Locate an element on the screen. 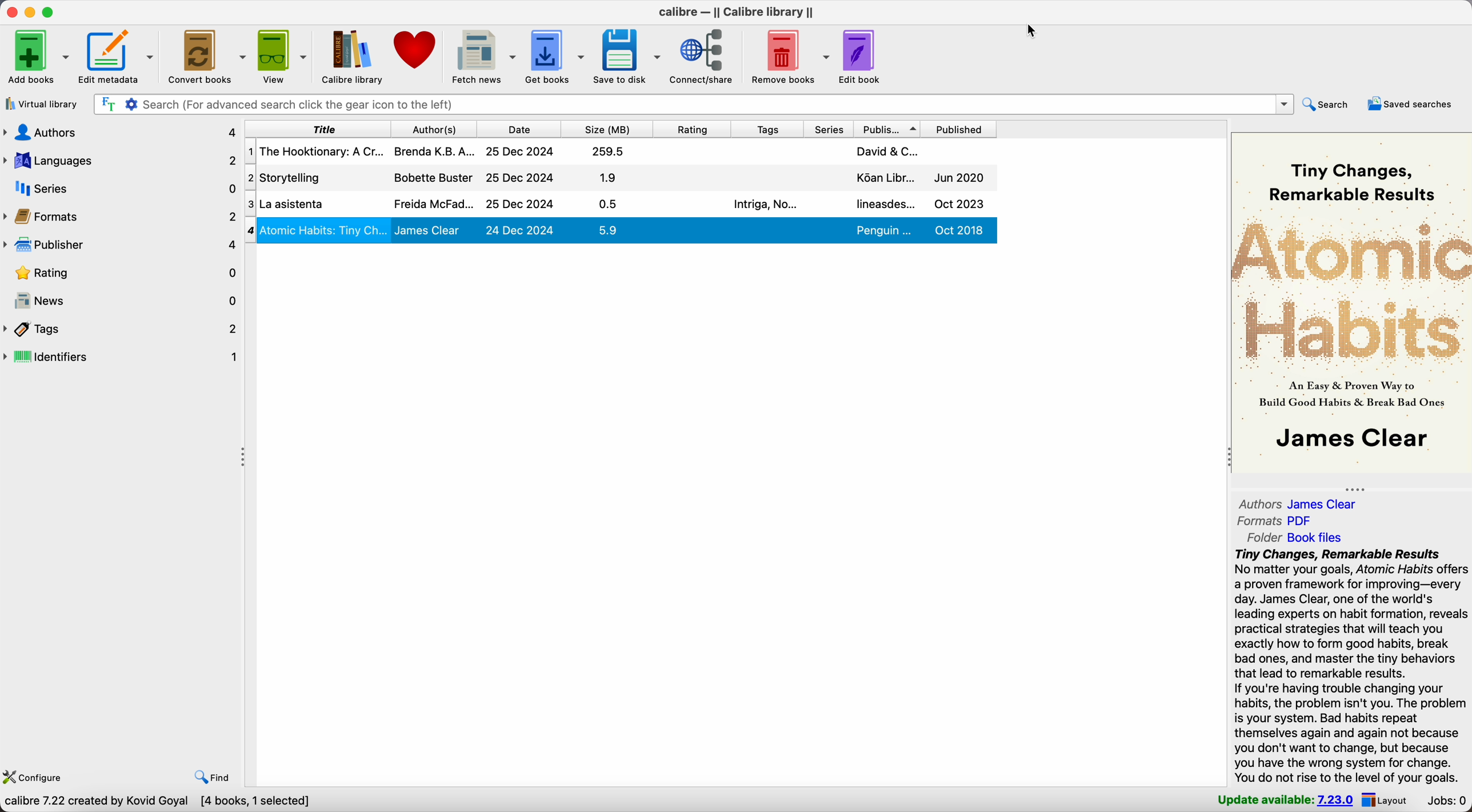  atomic habits - book cover preview is located at coordinates (1351, 305).